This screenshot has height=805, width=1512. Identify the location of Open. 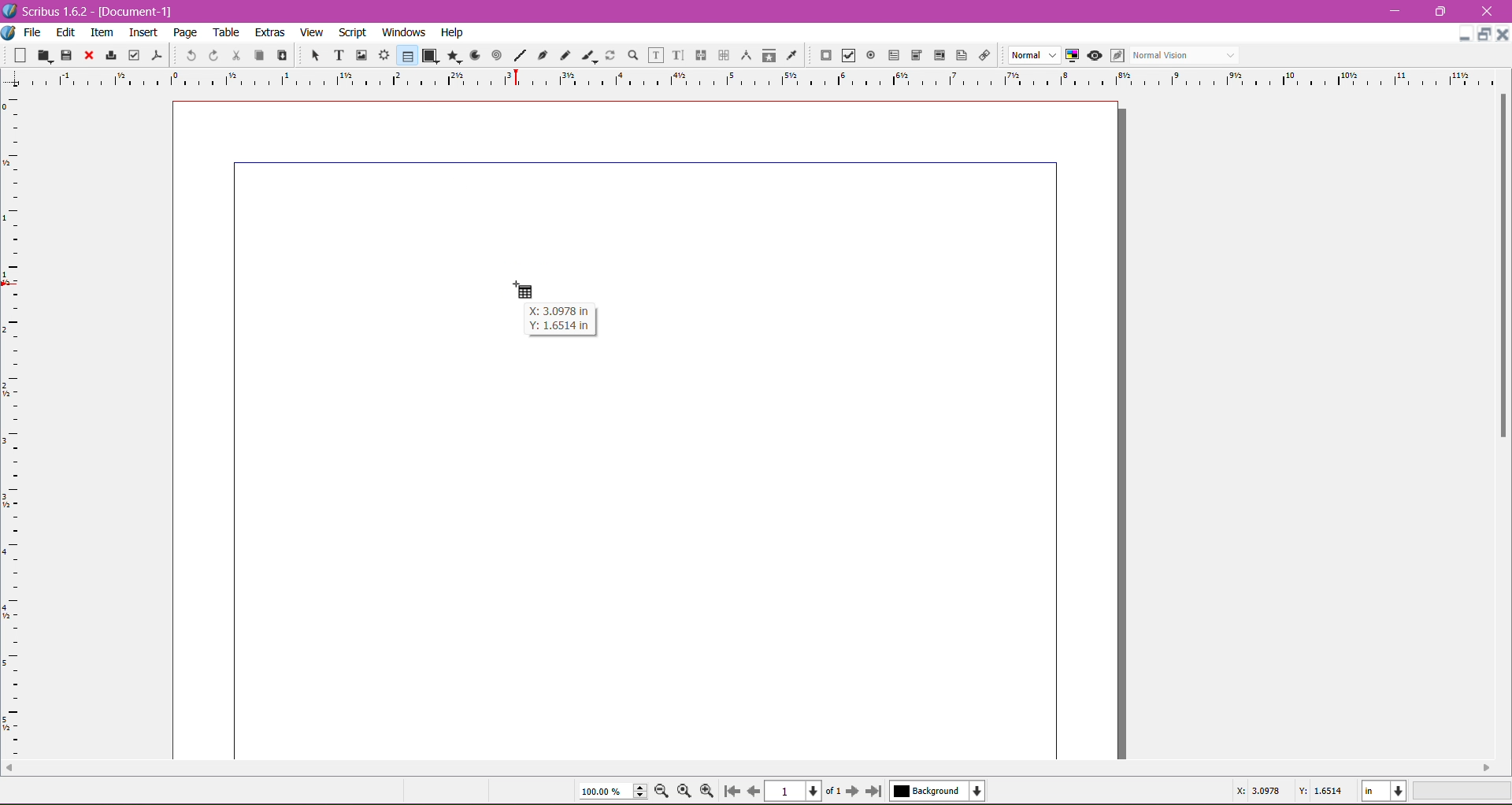
(46, 54).